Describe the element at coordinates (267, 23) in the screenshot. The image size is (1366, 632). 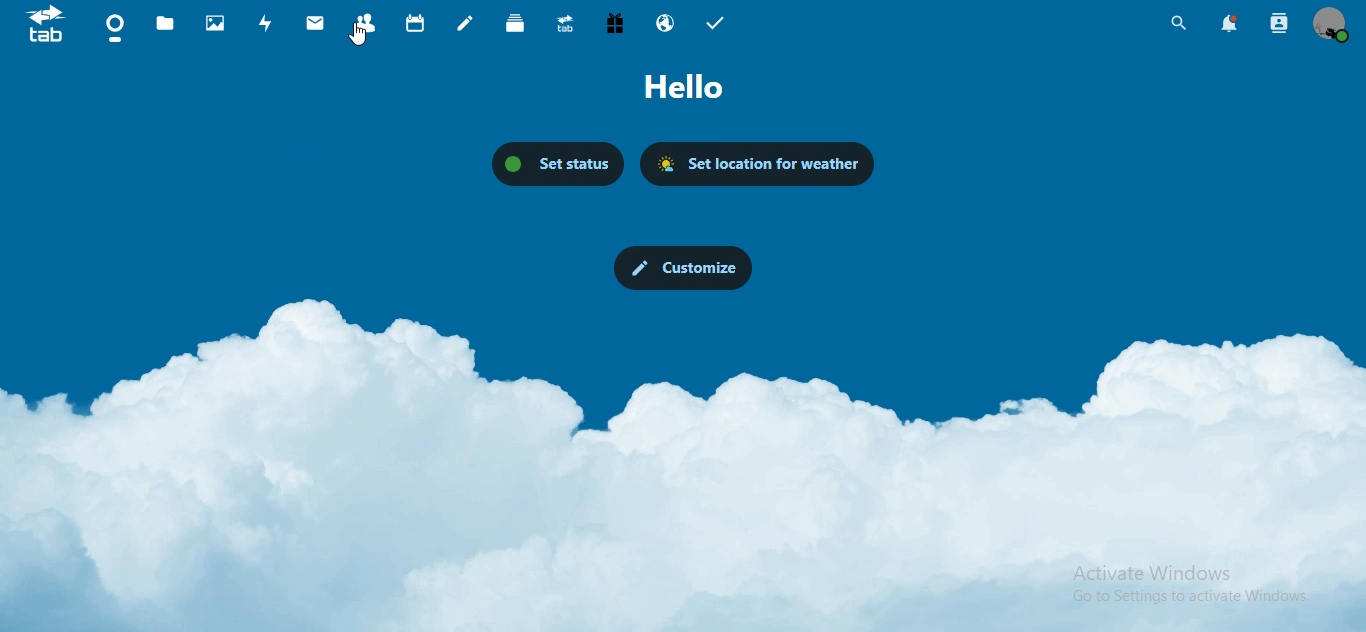
I see `activity` at that location.